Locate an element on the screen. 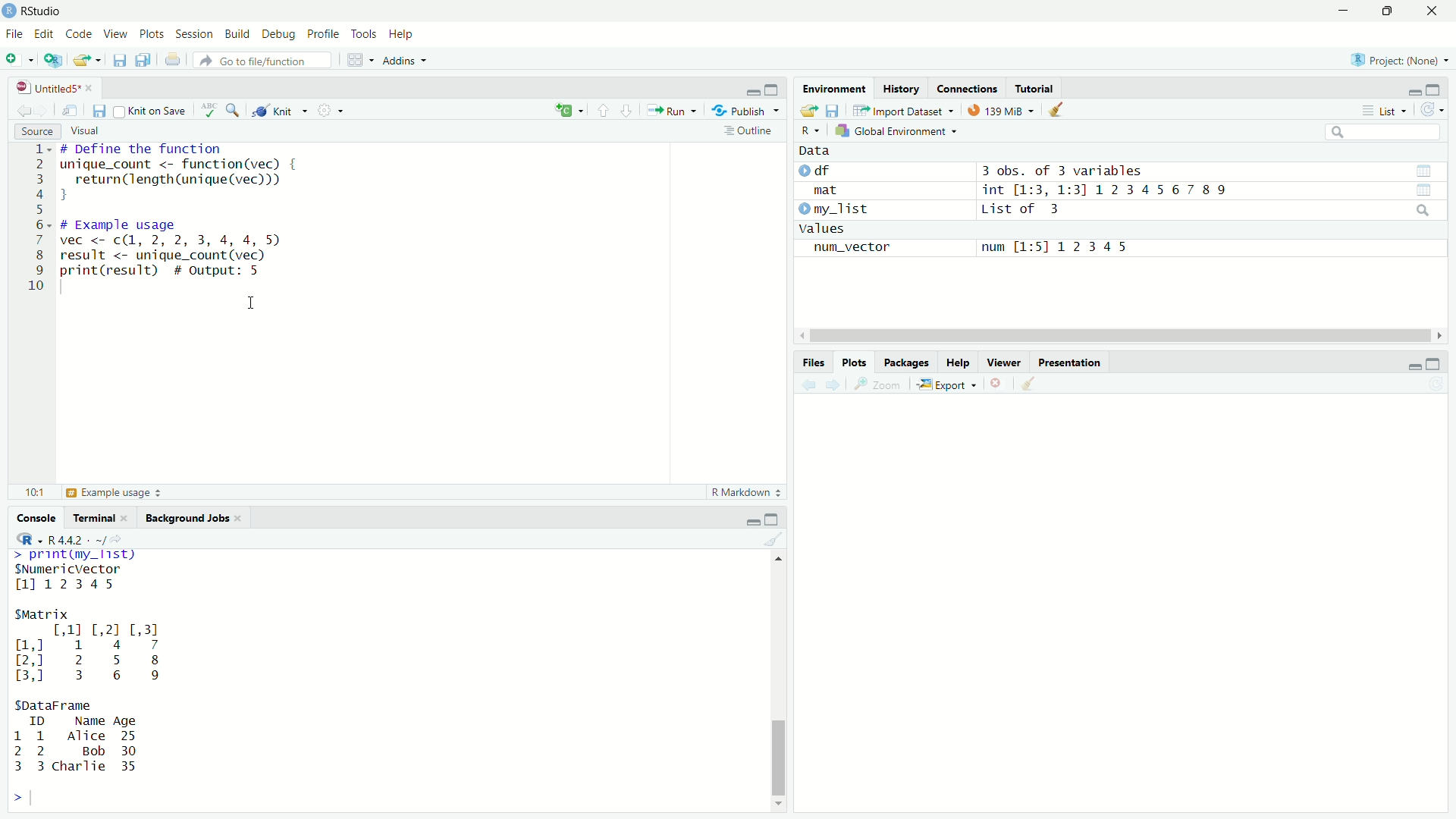 The height and width of the screenshot is (819, 1456). Zoom is located at coordinates (882, 384).